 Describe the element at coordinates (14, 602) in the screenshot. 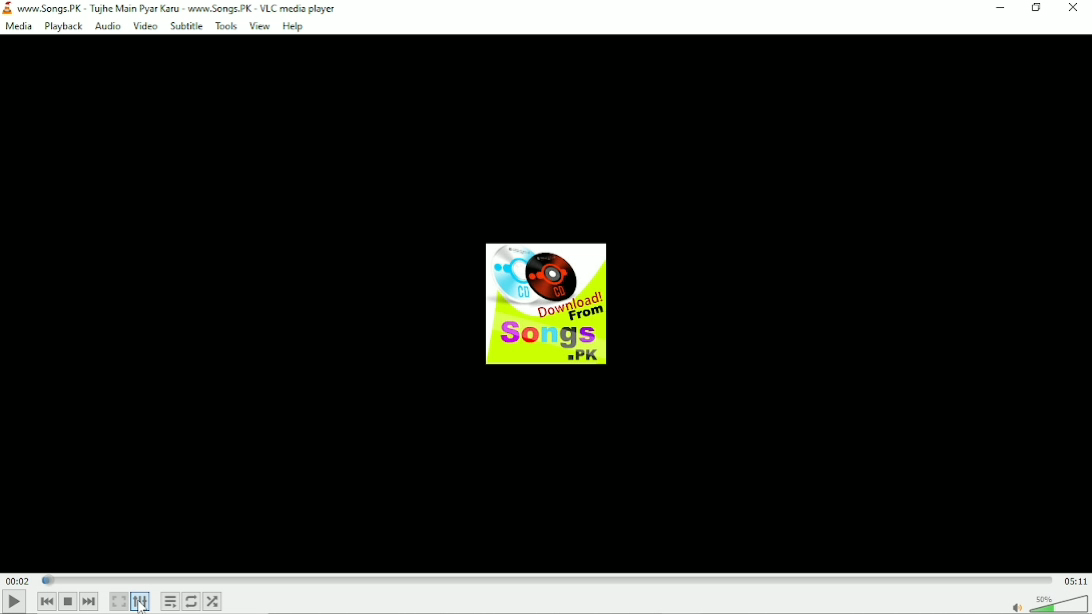

I see `Play` at that location.